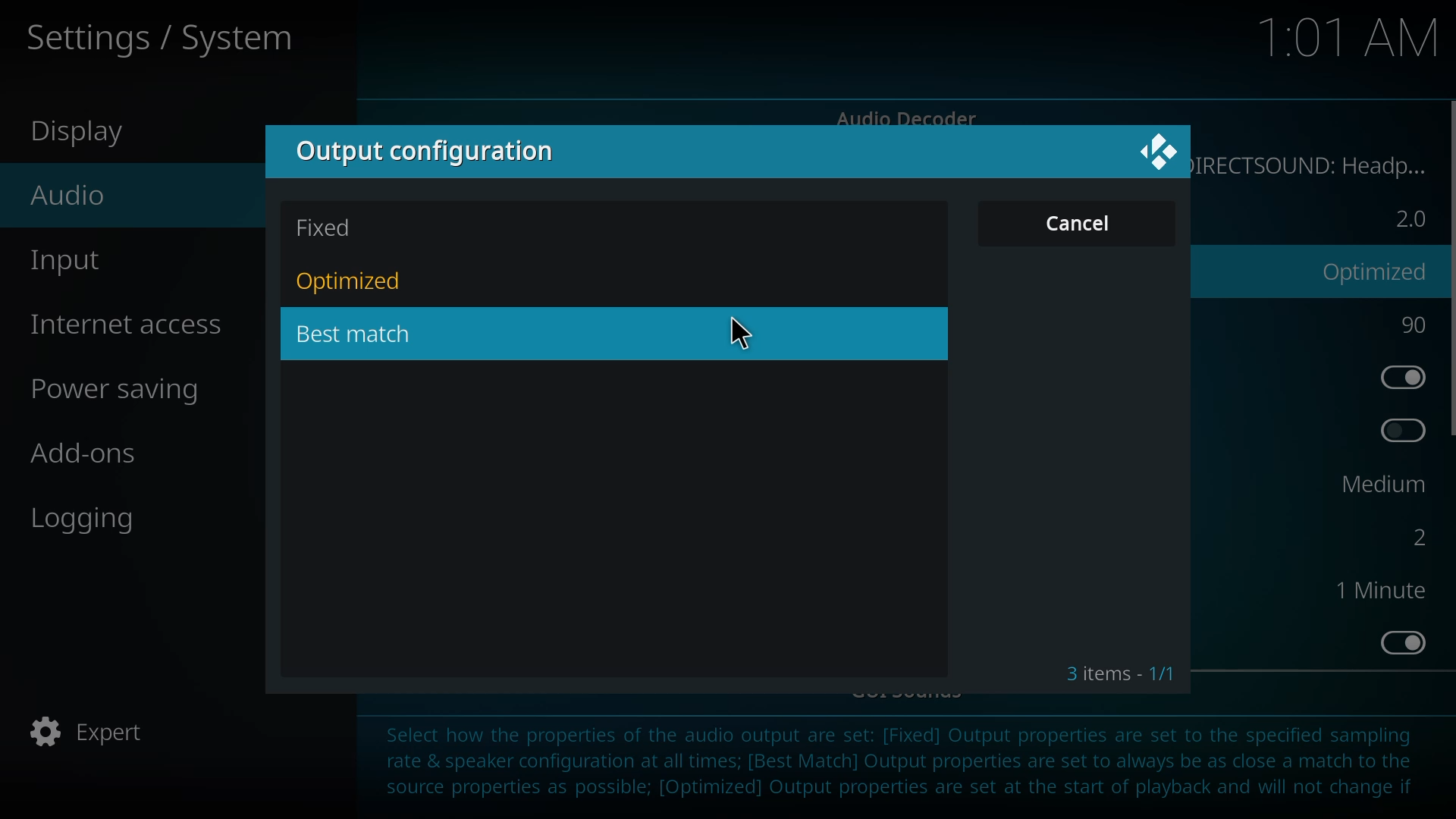  What do you see at coordinates (1376, 589) in the screenshot?
I see `1` at bounding box center [1376, 589].